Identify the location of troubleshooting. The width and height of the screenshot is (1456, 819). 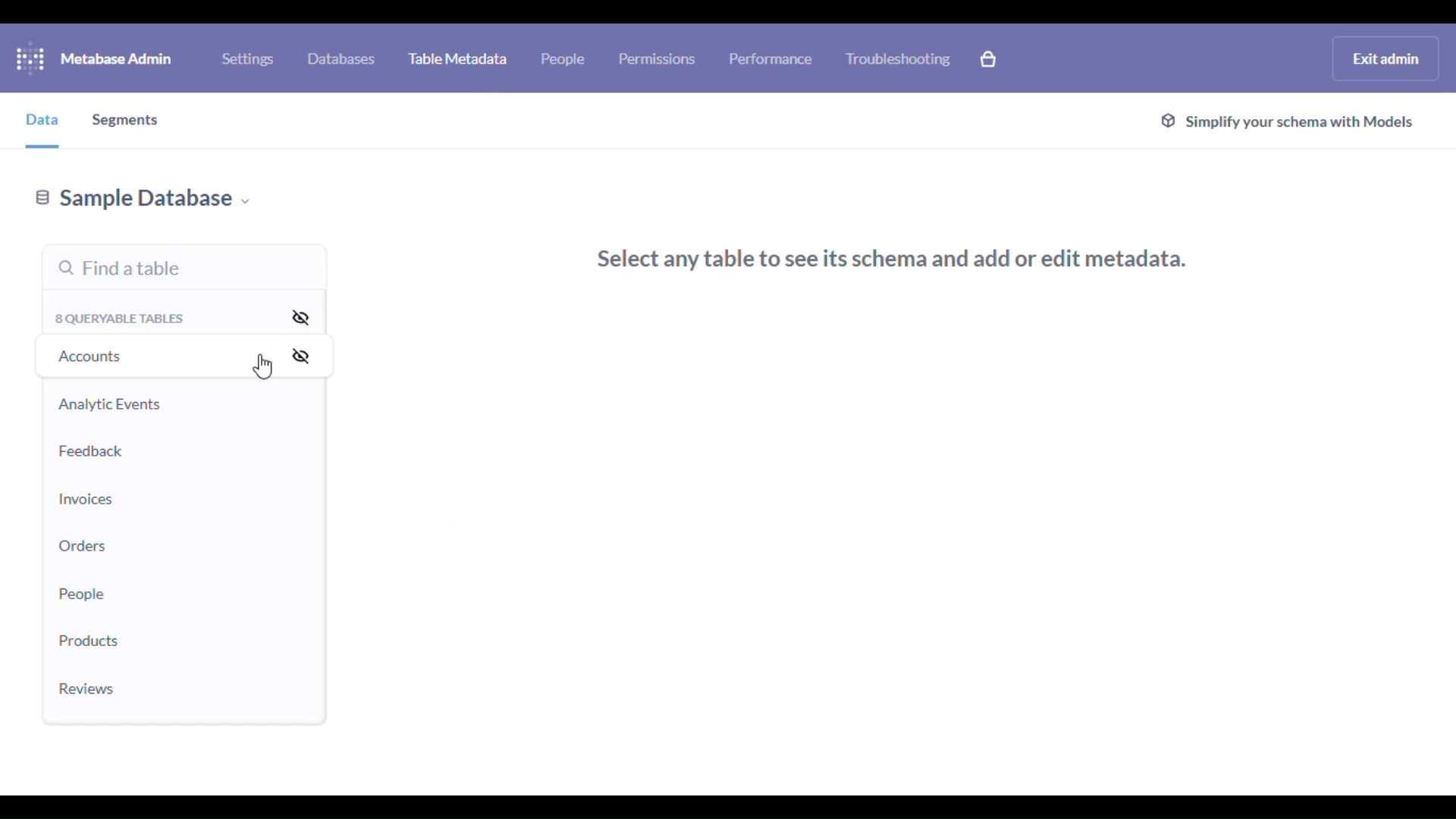
(899, 58).